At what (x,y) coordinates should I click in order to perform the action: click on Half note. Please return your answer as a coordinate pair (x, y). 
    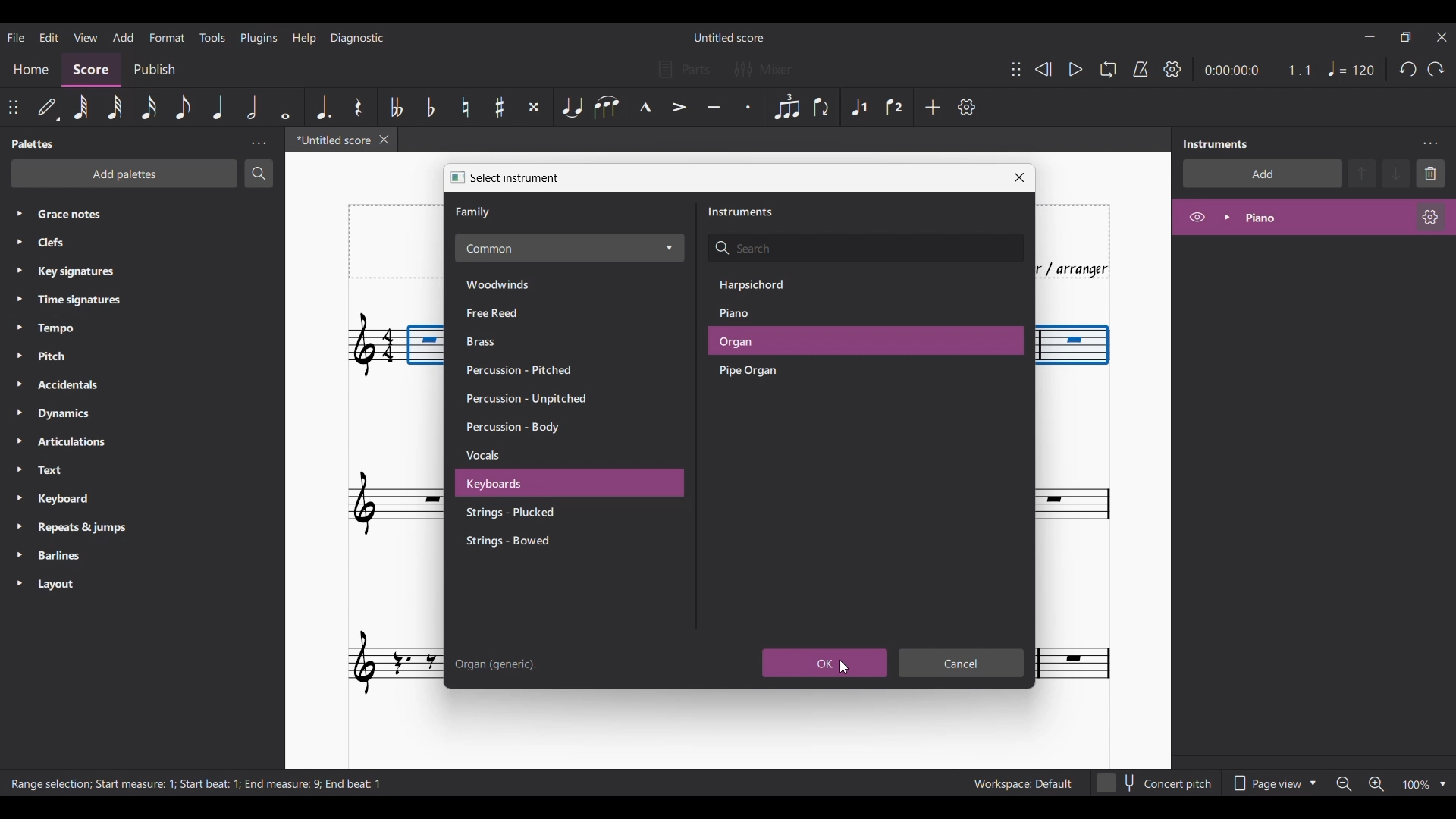
    Looking at the image, I should click on (251, 107).